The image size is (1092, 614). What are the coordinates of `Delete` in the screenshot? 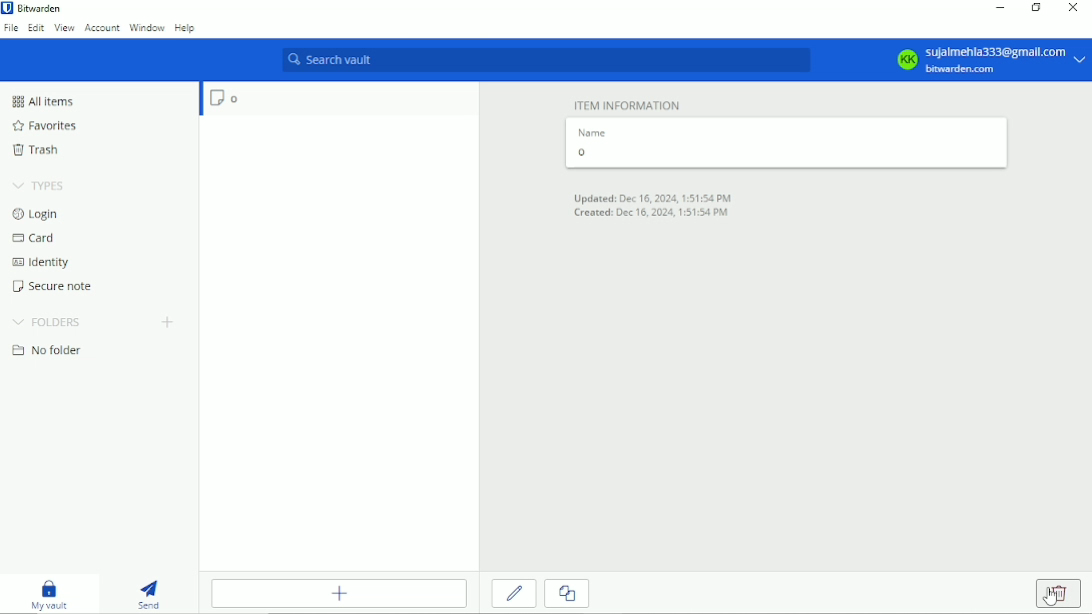 It's located at (1060, 593).